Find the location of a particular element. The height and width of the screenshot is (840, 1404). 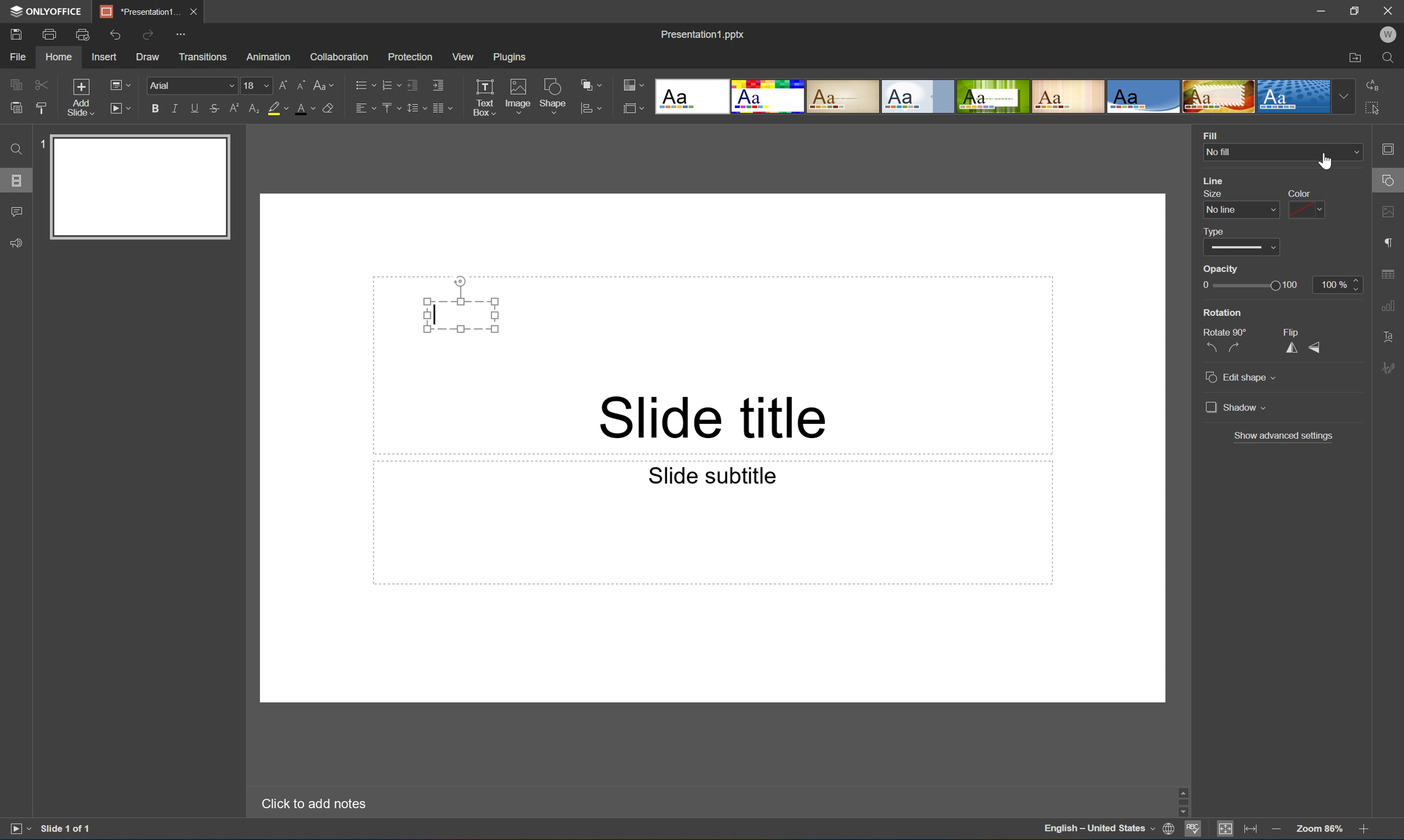

Scroll Up is located at coordinates (1363, 786).